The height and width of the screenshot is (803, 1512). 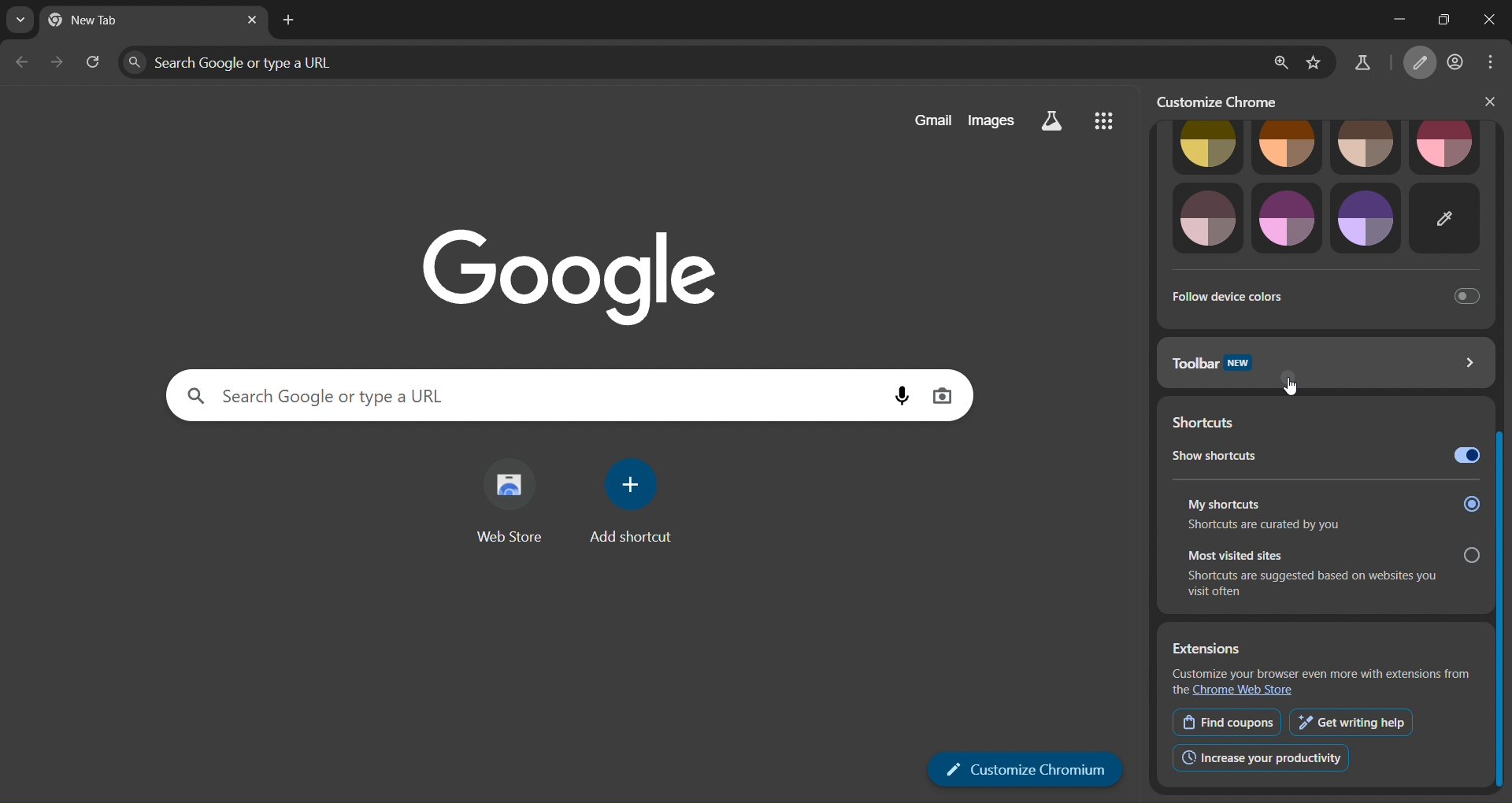 What do you see at coordinates (1207, 220) in the screenshot?
I see `theme` at bounding box center [1207, 220].